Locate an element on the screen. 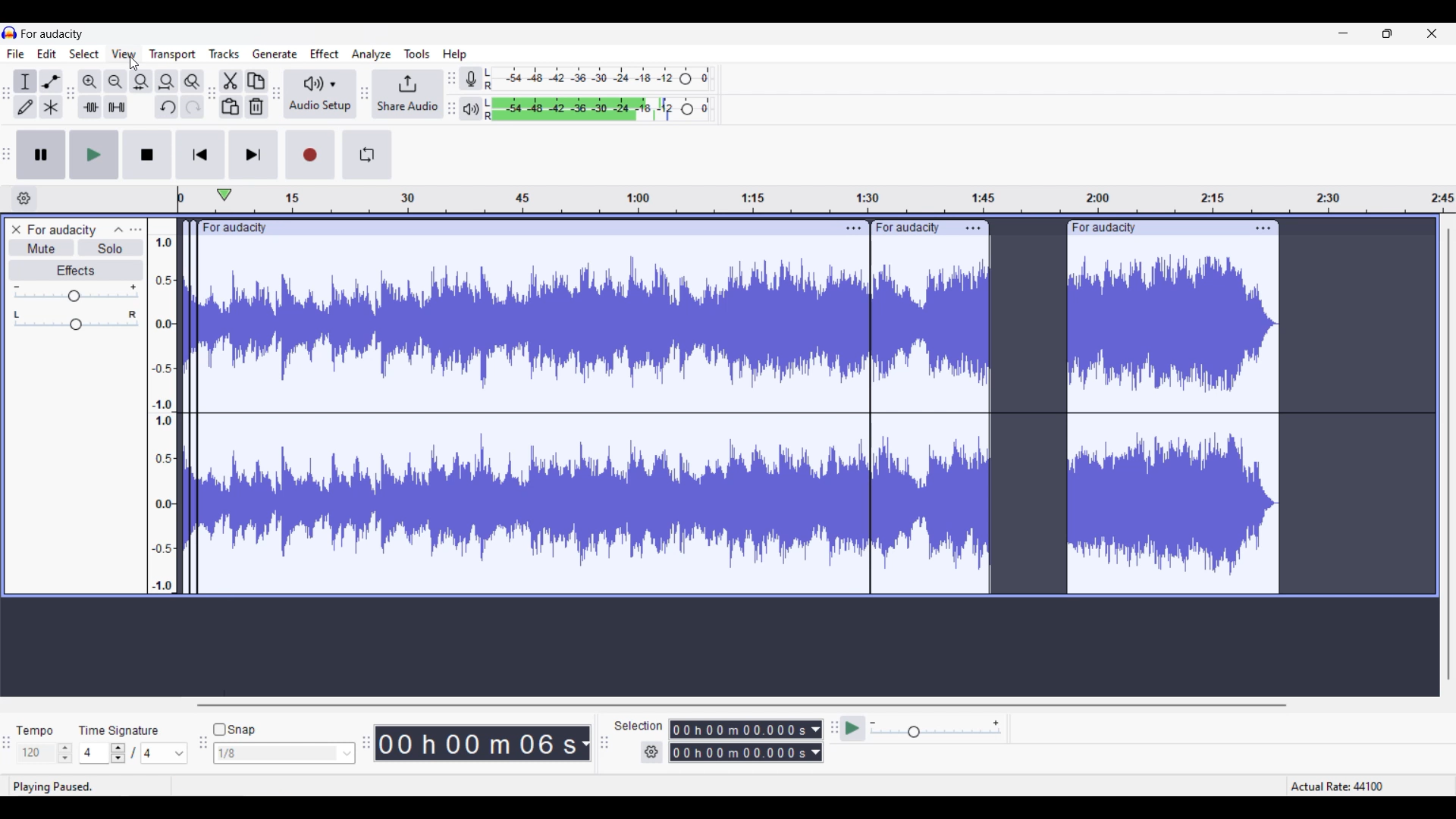 Image resolution: width=1456 pixels, height=819 pixels. Edit menu is located at coordinates (47, 54).